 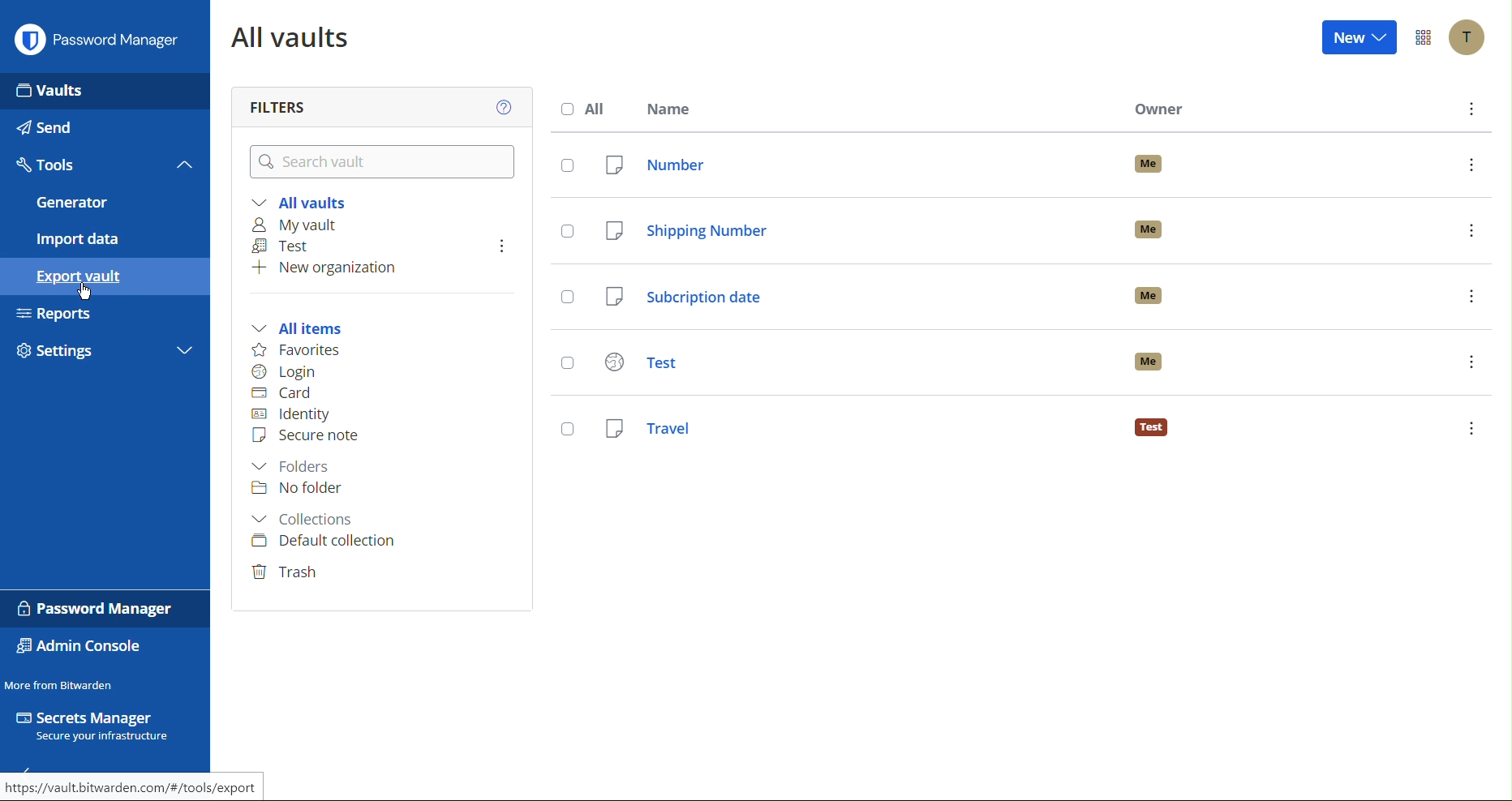 I want to click on More options, so click(x=1420, y=38).